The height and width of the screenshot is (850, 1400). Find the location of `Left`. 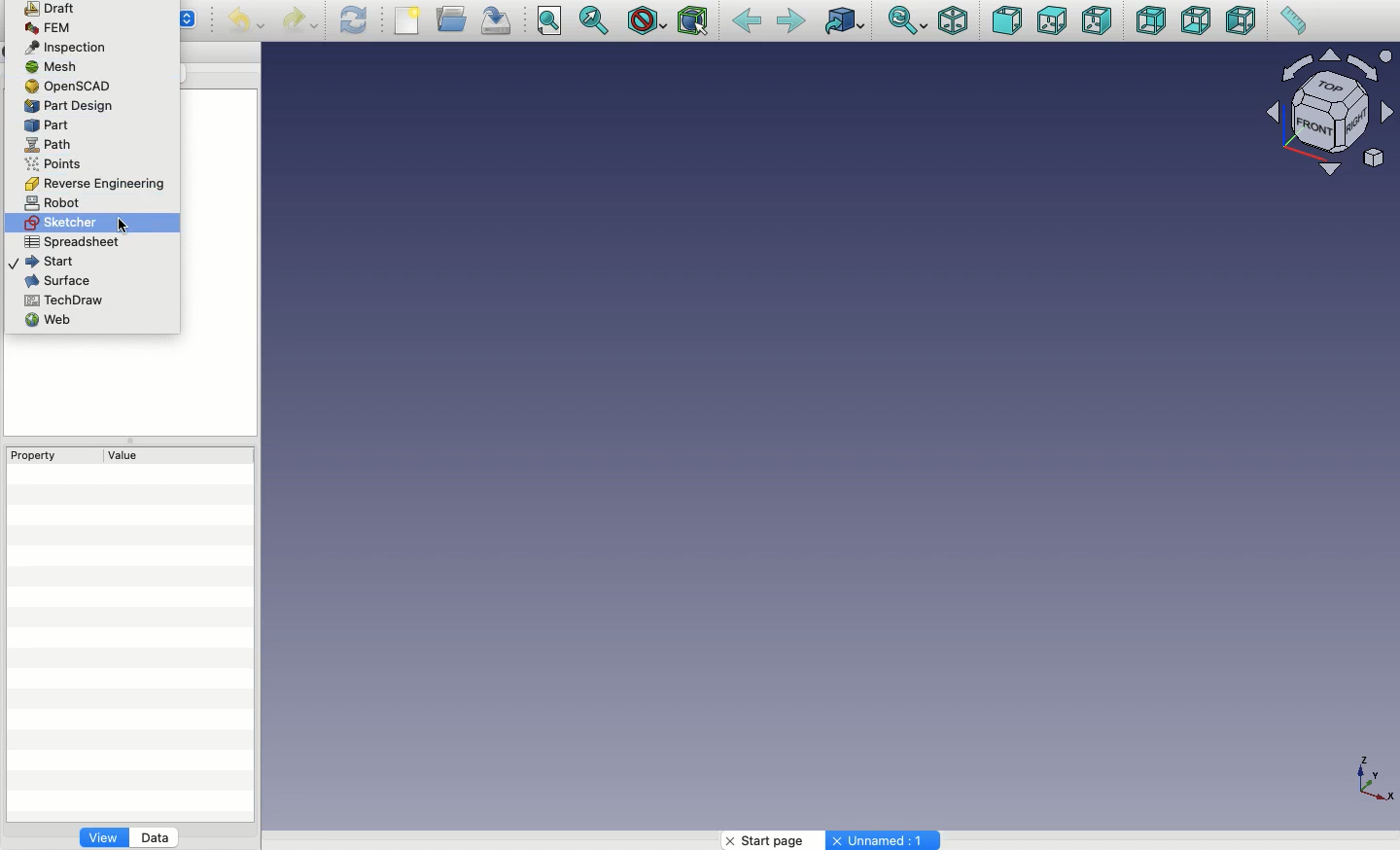

Left is located at coordinates (1242, 22).